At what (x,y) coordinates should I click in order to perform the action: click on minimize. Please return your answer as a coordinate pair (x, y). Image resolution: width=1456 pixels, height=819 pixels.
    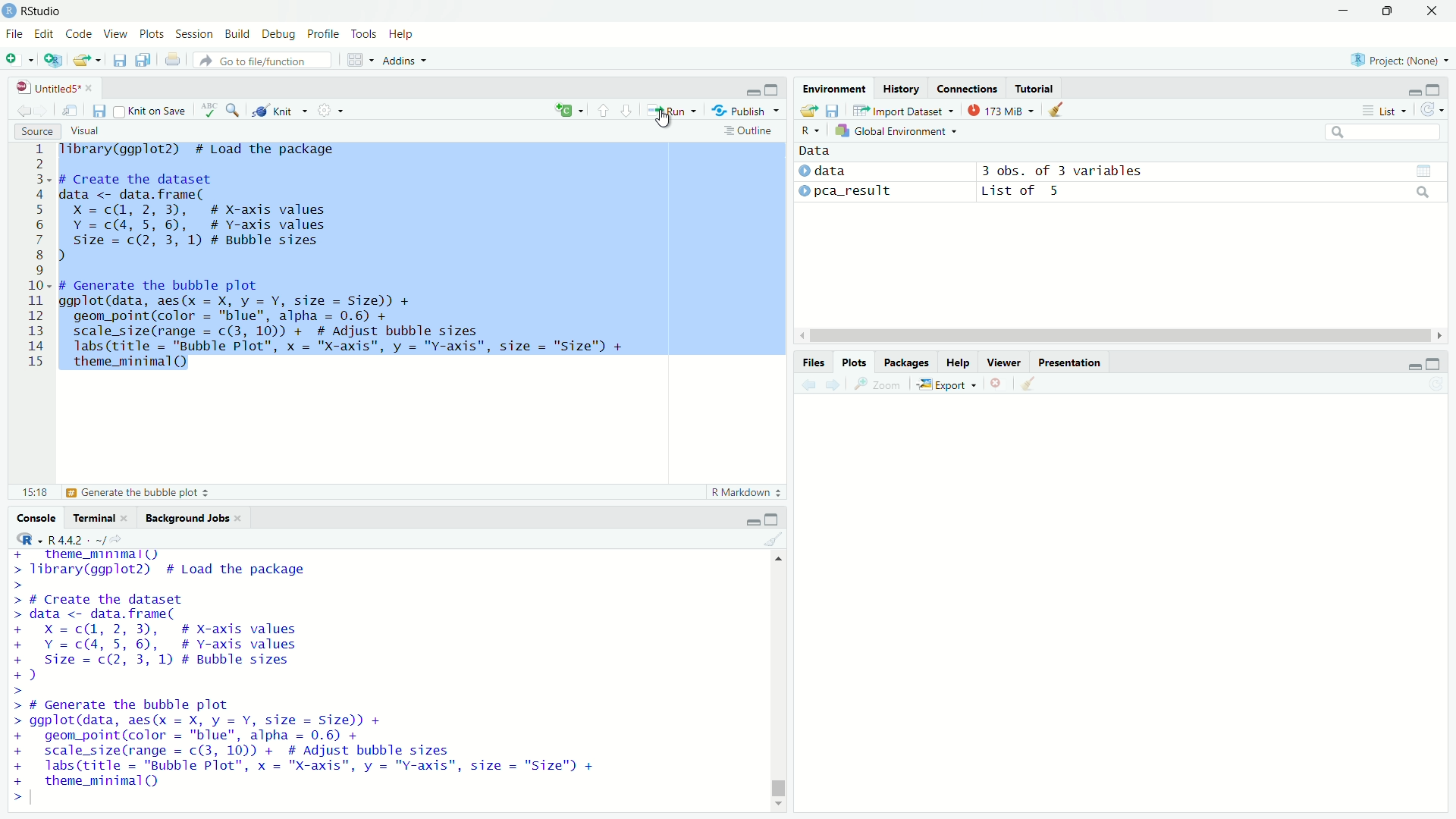
    Looking at the image, I should click on (752, 519).